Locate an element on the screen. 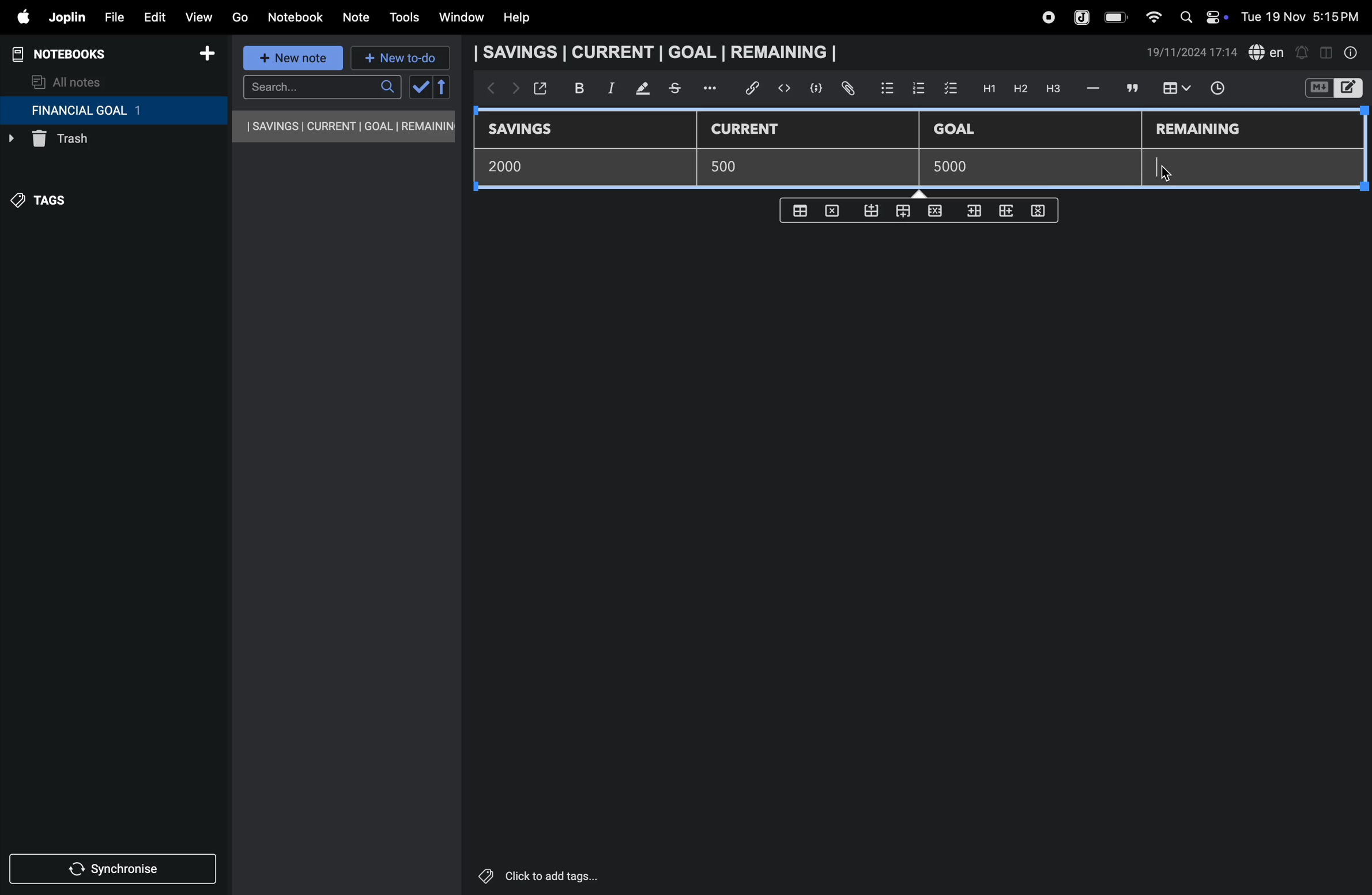 Image resolution: width=1372 pixels, height=895 pixels. remaining is located at coordinates (1200, 130).